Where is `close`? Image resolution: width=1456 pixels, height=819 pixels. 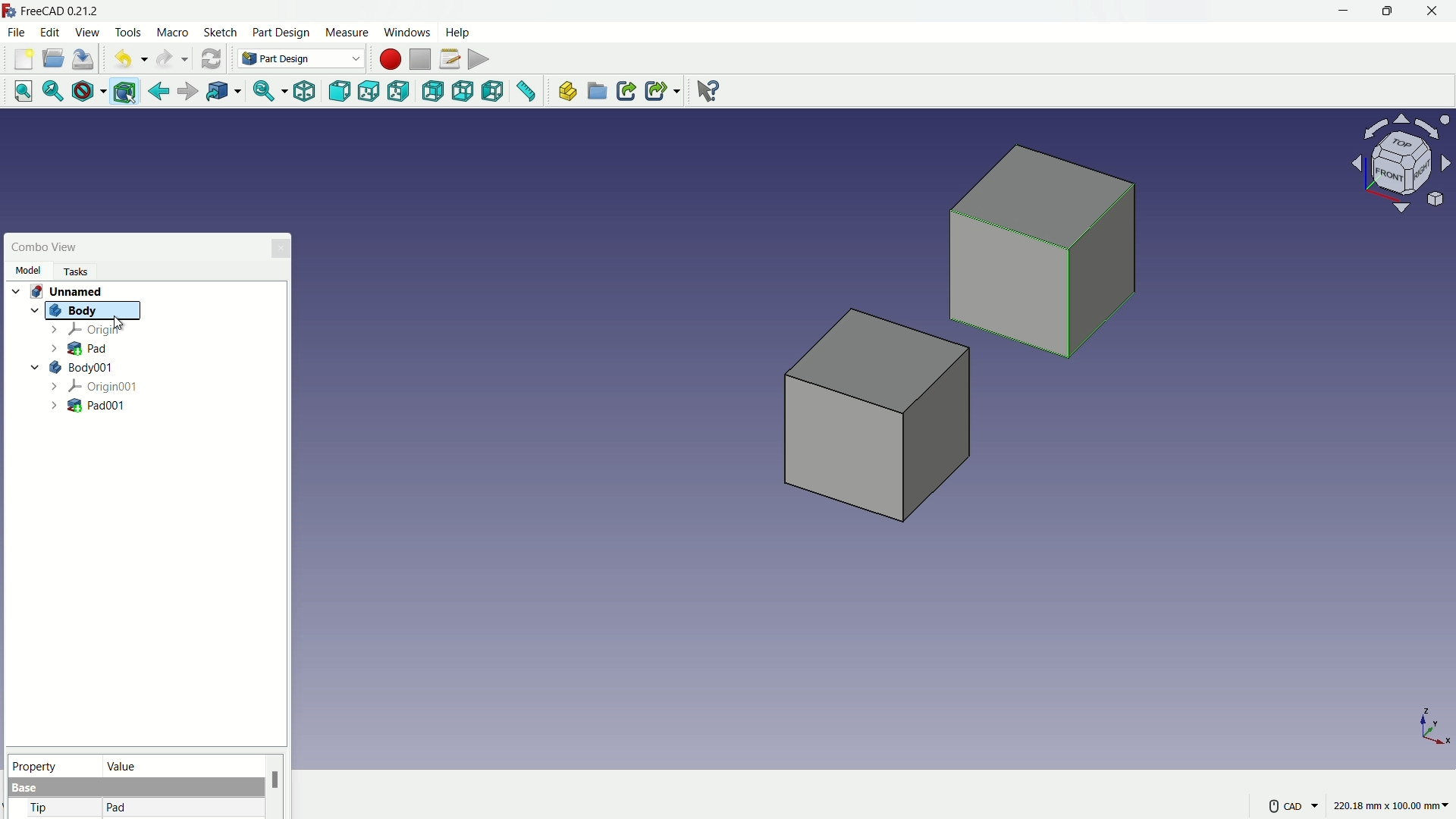
close is located at coordinates (282, 248).